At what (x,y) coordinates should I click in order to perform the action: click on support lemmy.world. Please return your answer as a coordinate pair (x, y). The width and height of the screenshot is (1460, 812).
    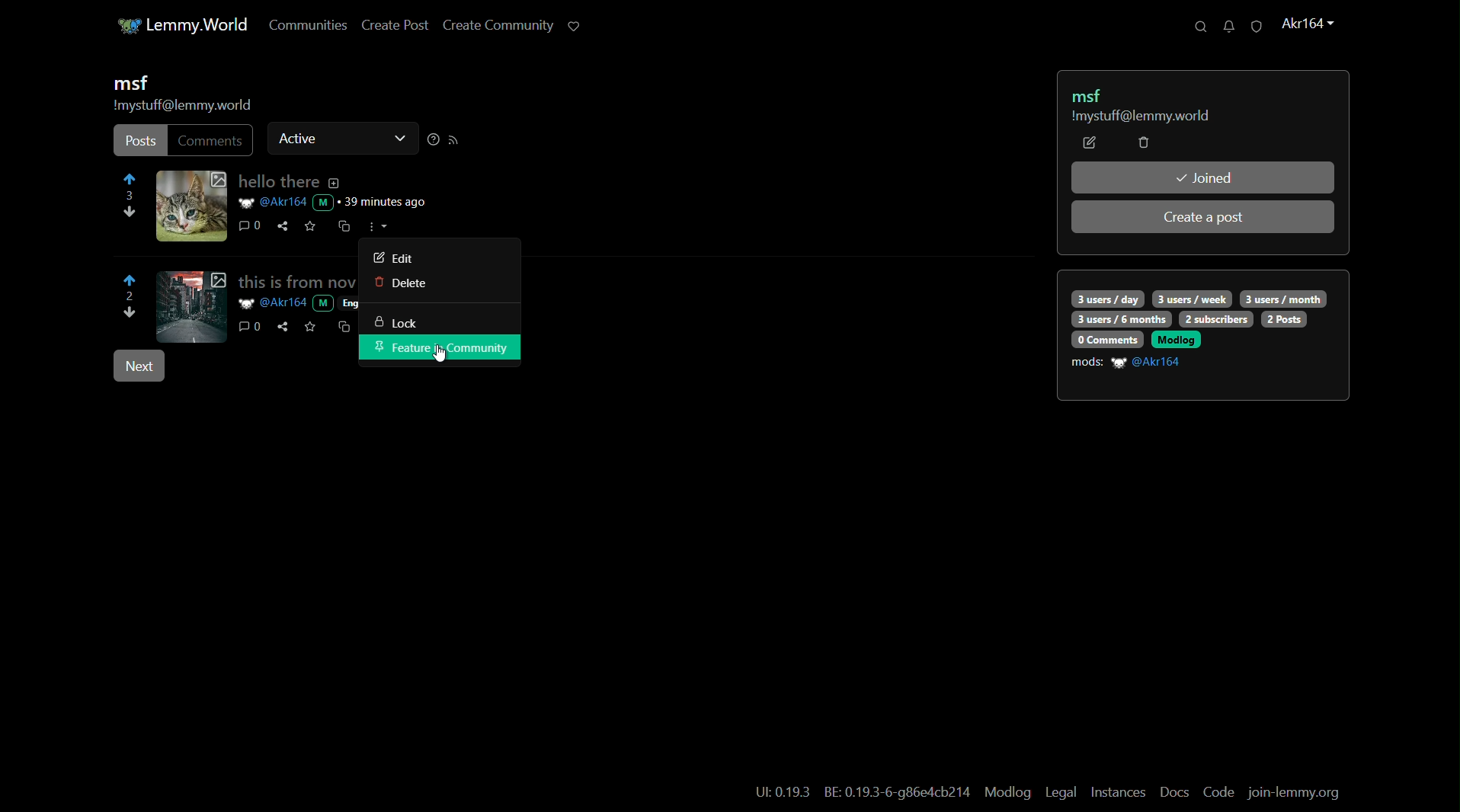
    Looking at the image, I should click on (572, 25).